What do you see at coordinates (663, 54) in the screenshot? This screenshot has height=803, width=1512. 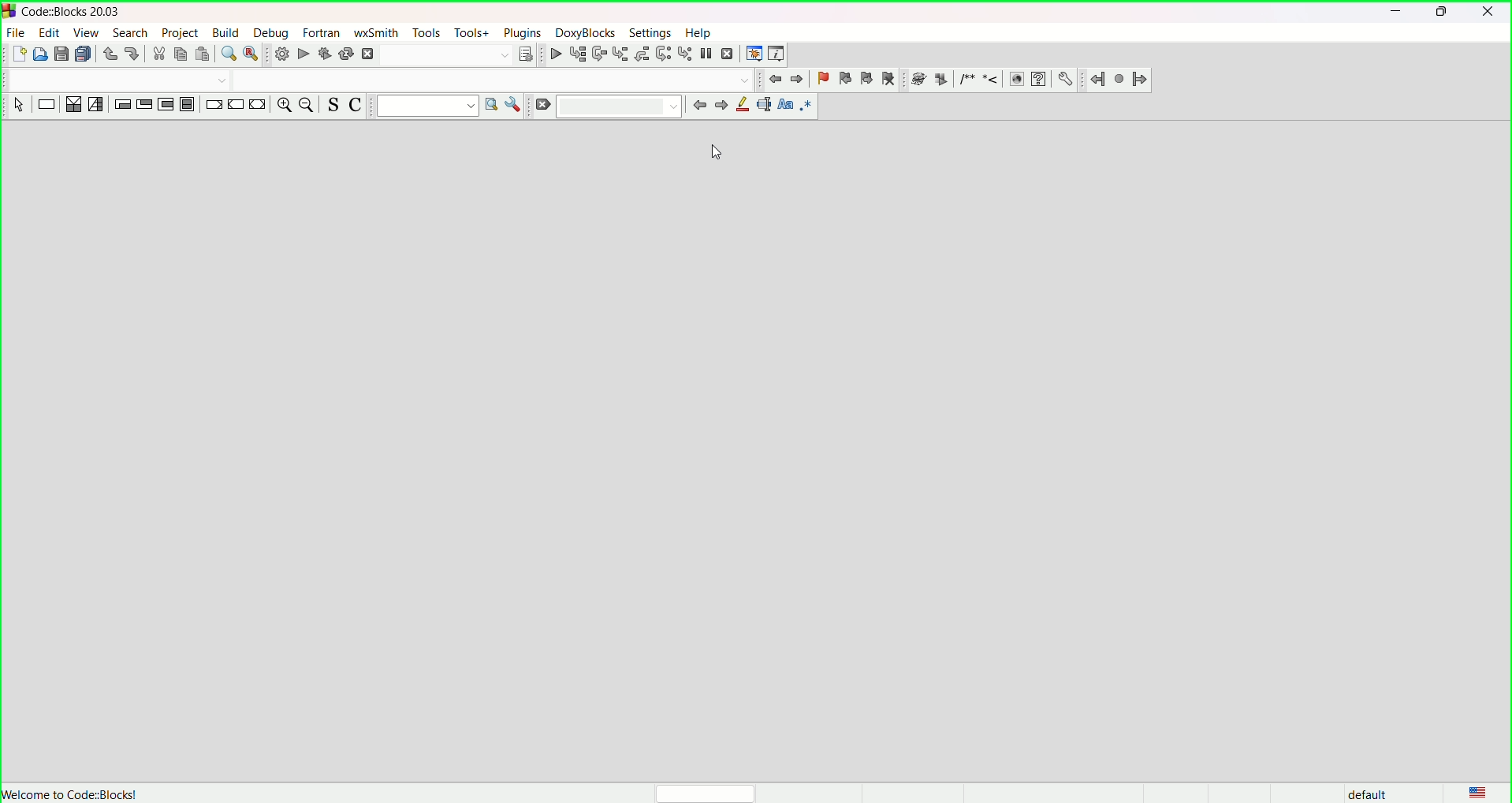 I see `next instruction` at bounding box center [663, 54].